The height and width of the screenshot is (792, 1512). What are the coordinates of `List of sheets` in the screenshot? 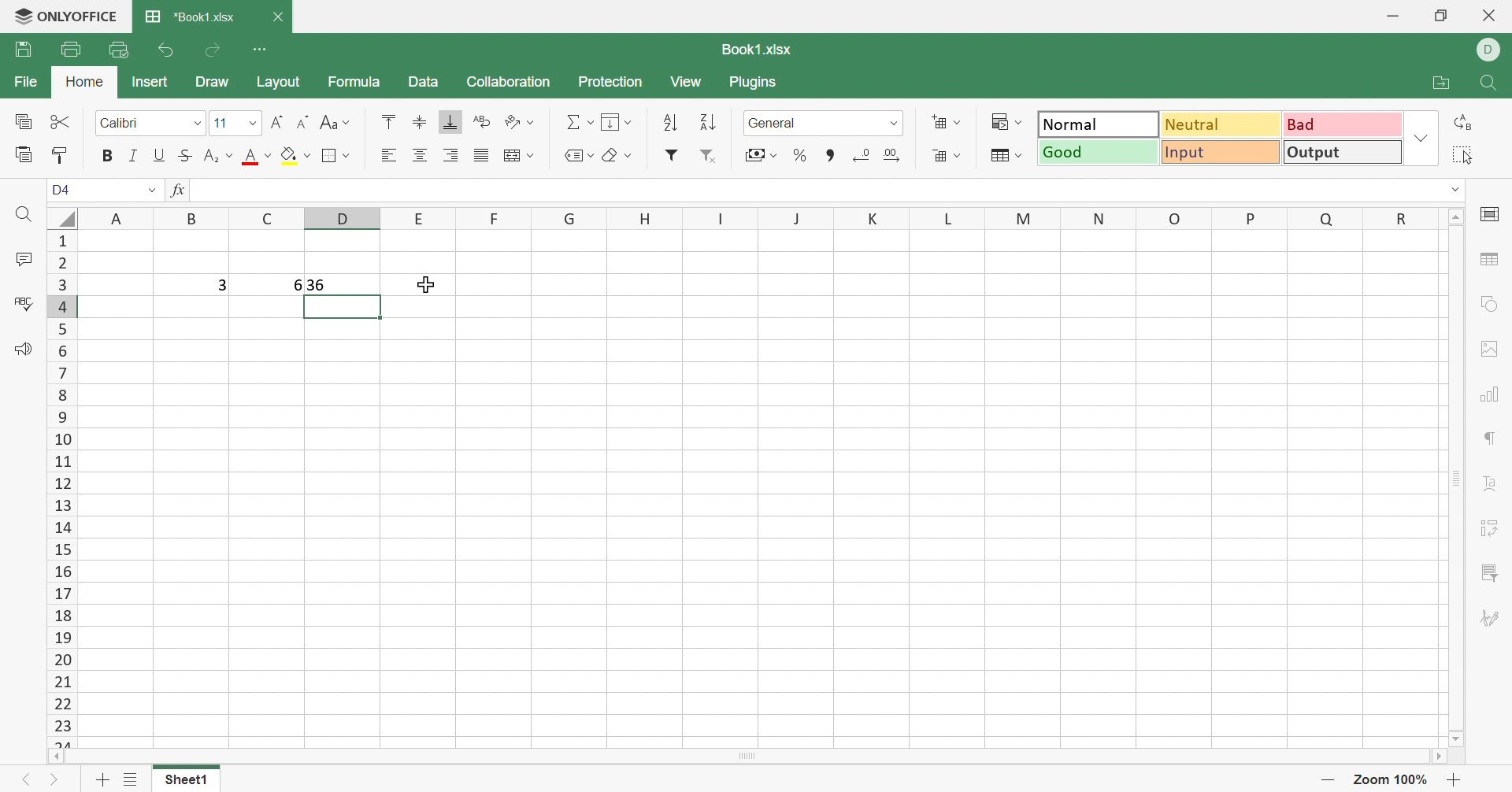 It's located at (131, 779).